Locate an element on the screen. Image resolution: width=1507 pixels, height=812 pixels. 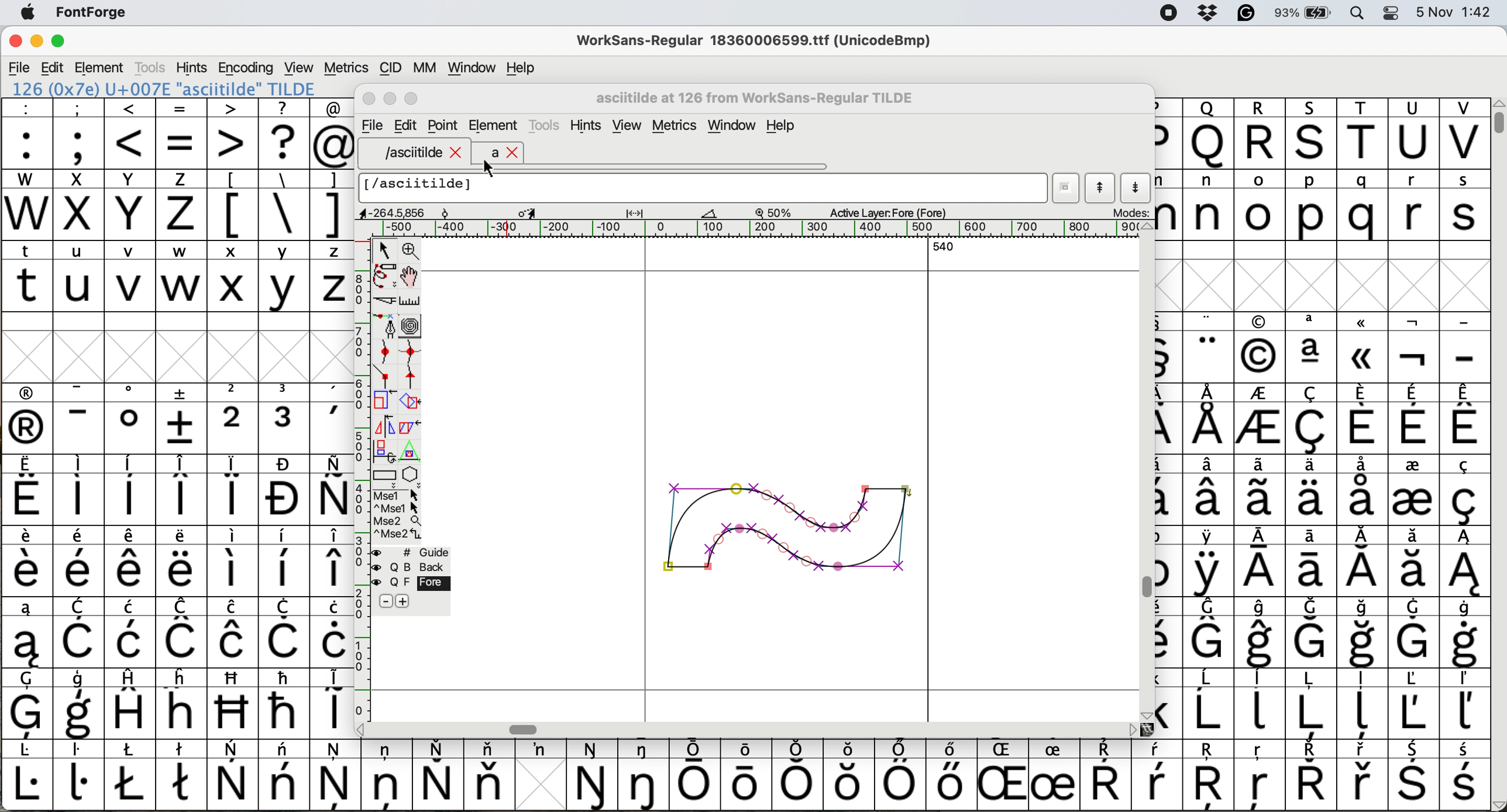
current word list is located at coordinates (1066, 190).